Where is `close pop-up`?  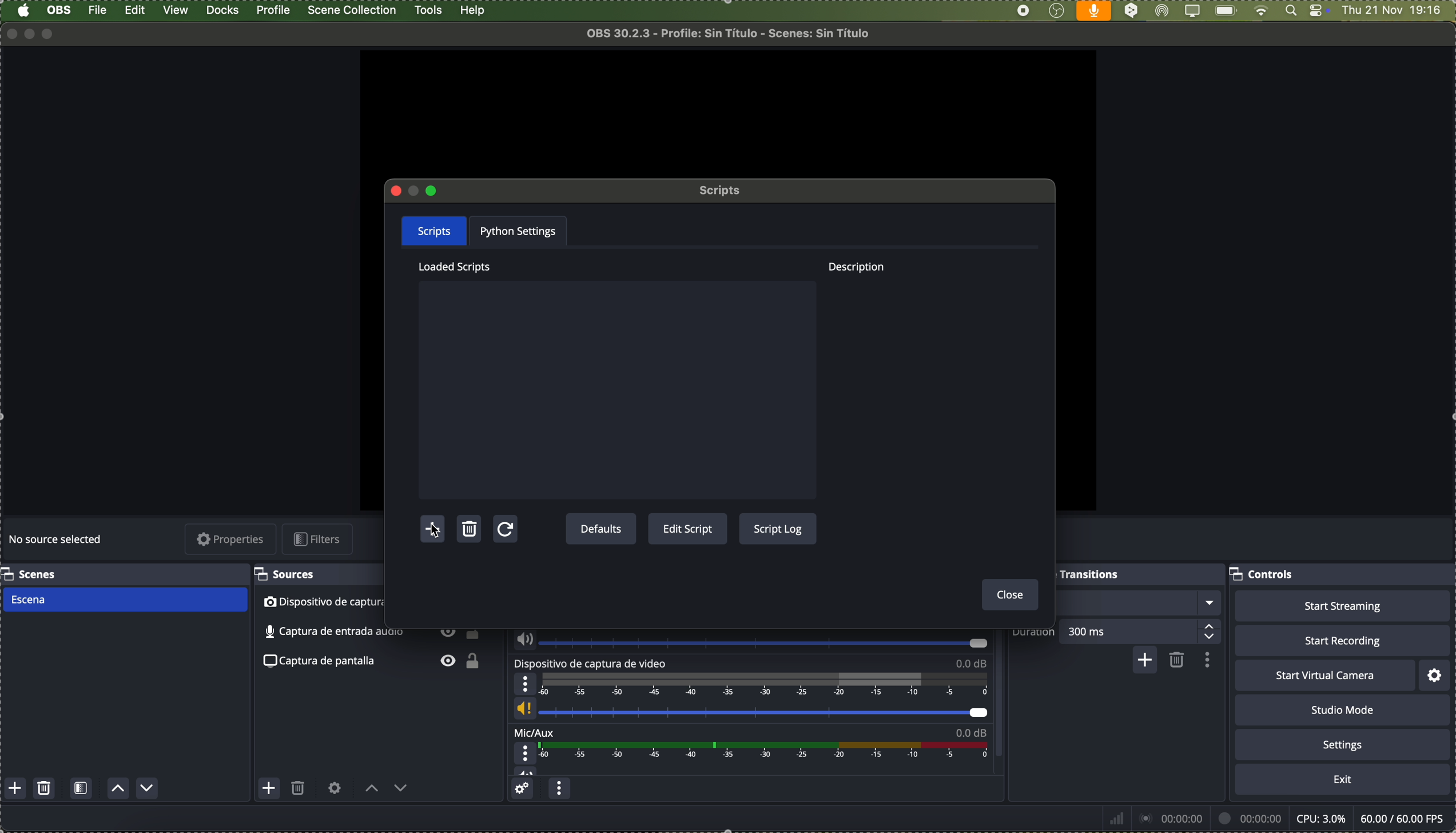 close pop-up is located at coordinates (397, 191).